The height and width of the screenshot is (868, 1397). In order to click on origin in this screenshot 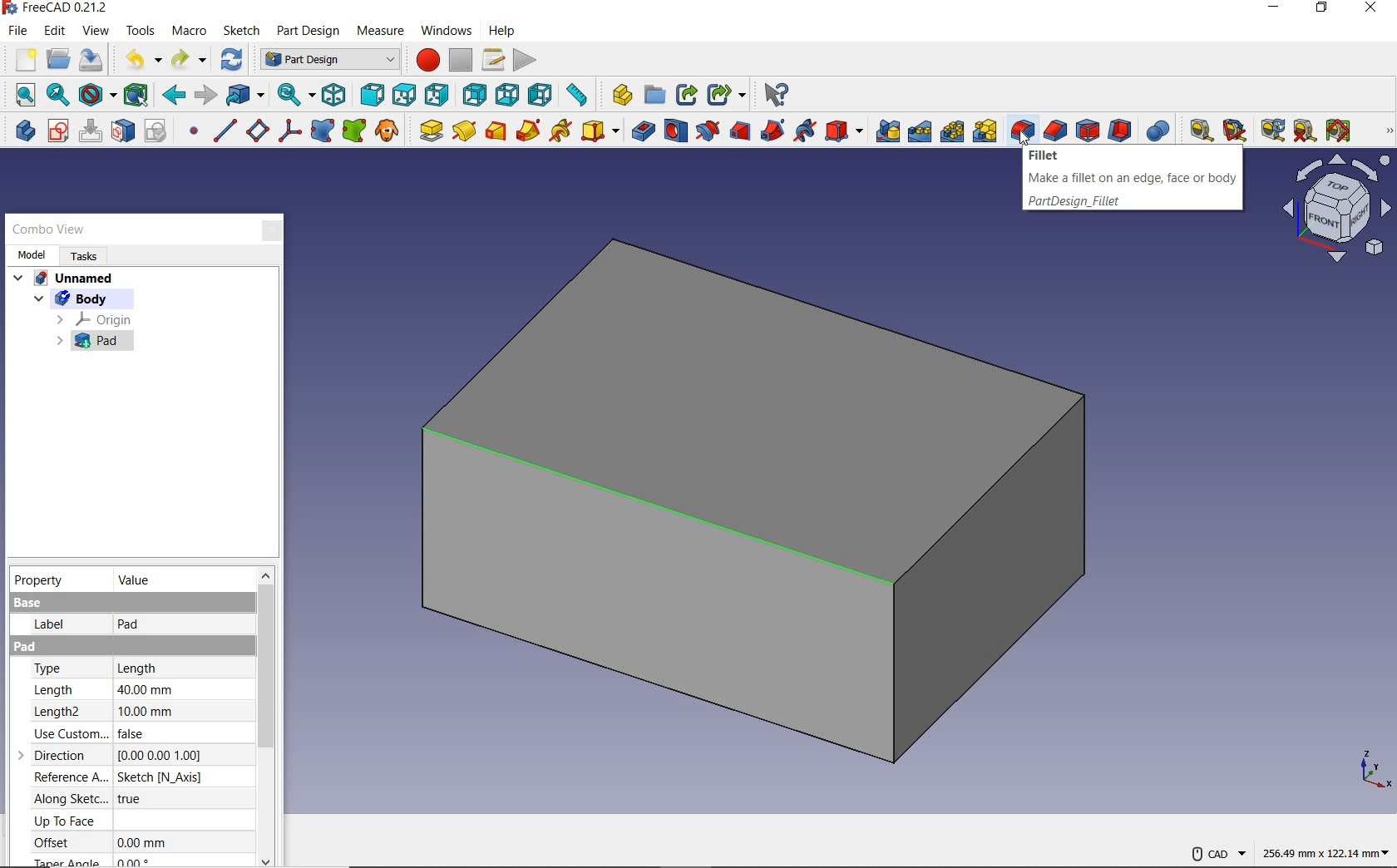, I will do `click(93, 319)`.